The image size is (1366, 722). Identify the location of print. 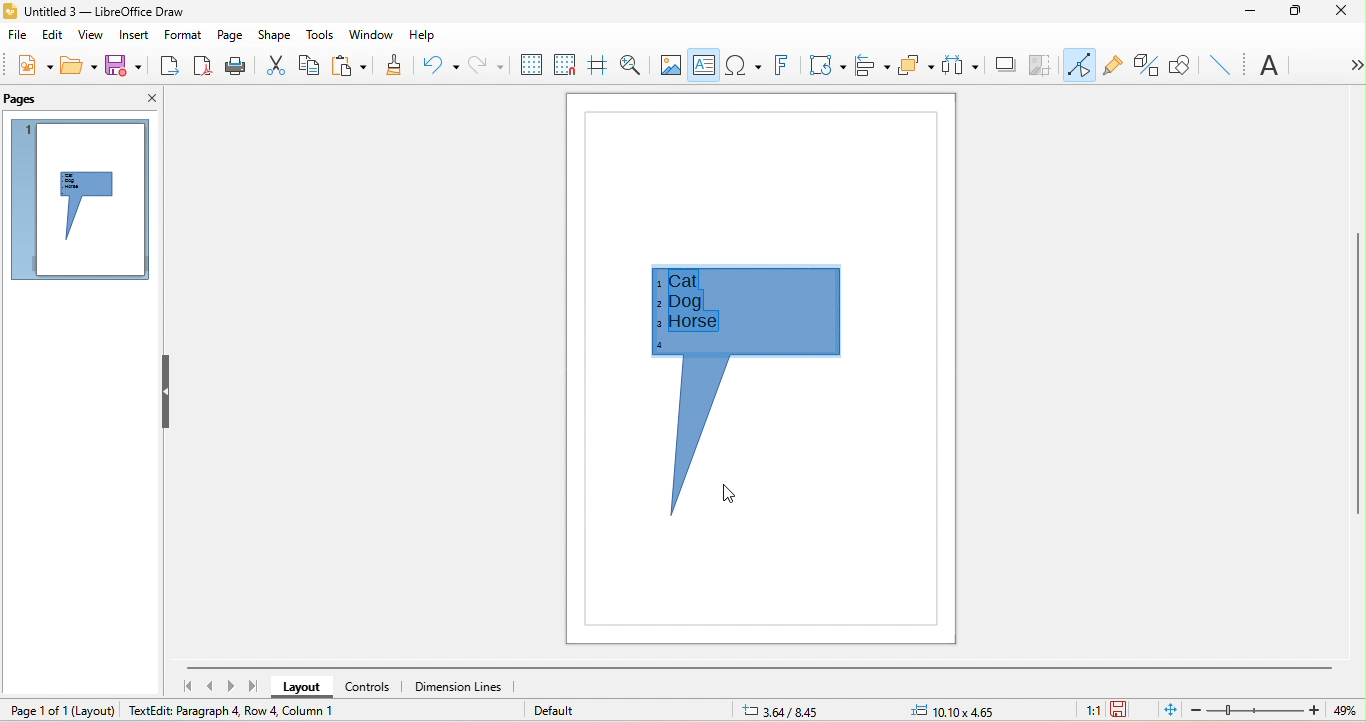
(235, 68).